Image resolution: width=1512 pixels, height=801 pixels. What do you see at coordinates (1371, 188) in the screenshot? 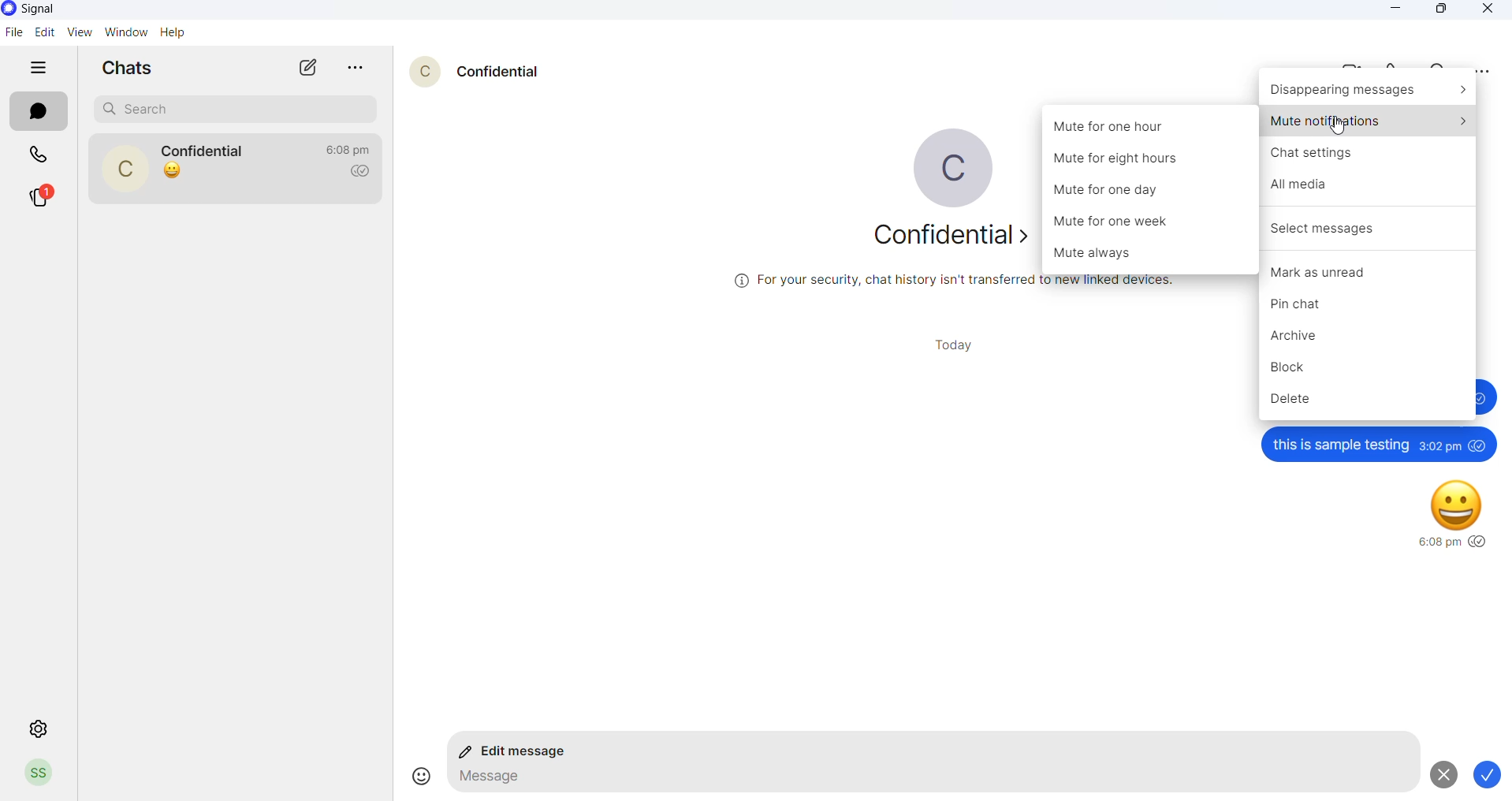
I see `all media` at bounding box center [1371, 188].